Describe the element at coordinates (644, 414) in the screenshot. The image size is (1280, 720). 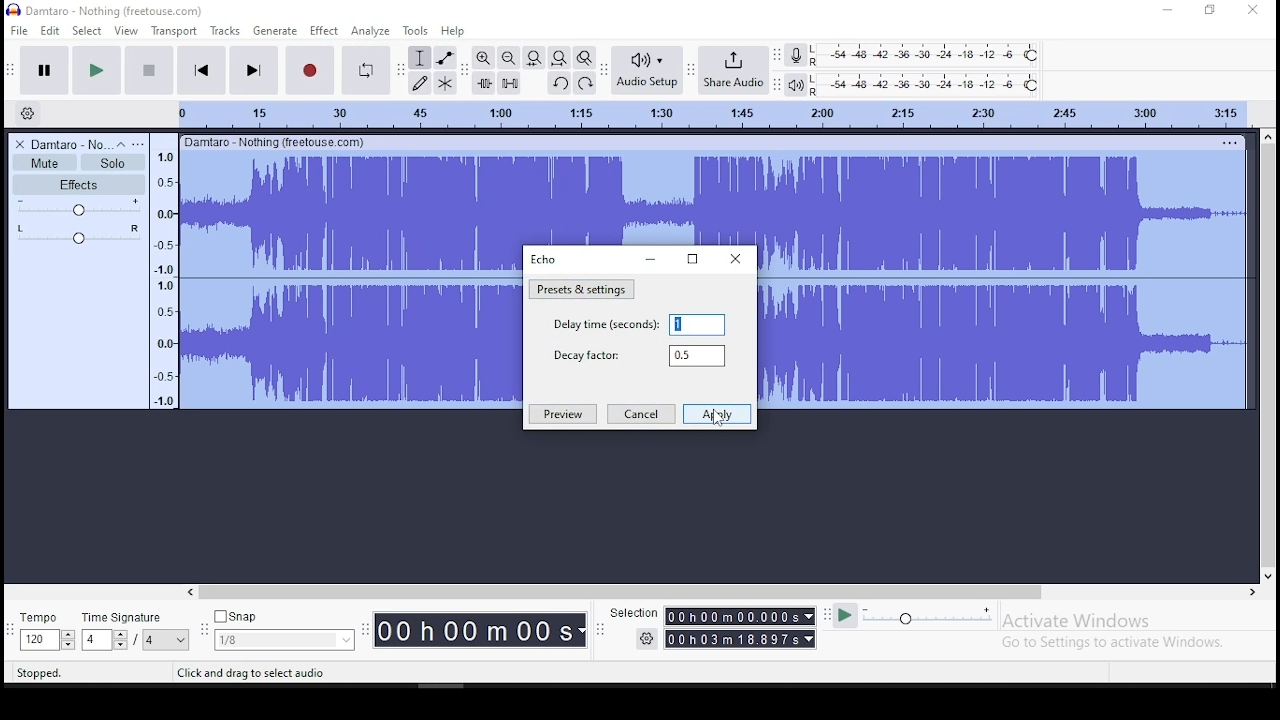
I see `cancel` at that location.